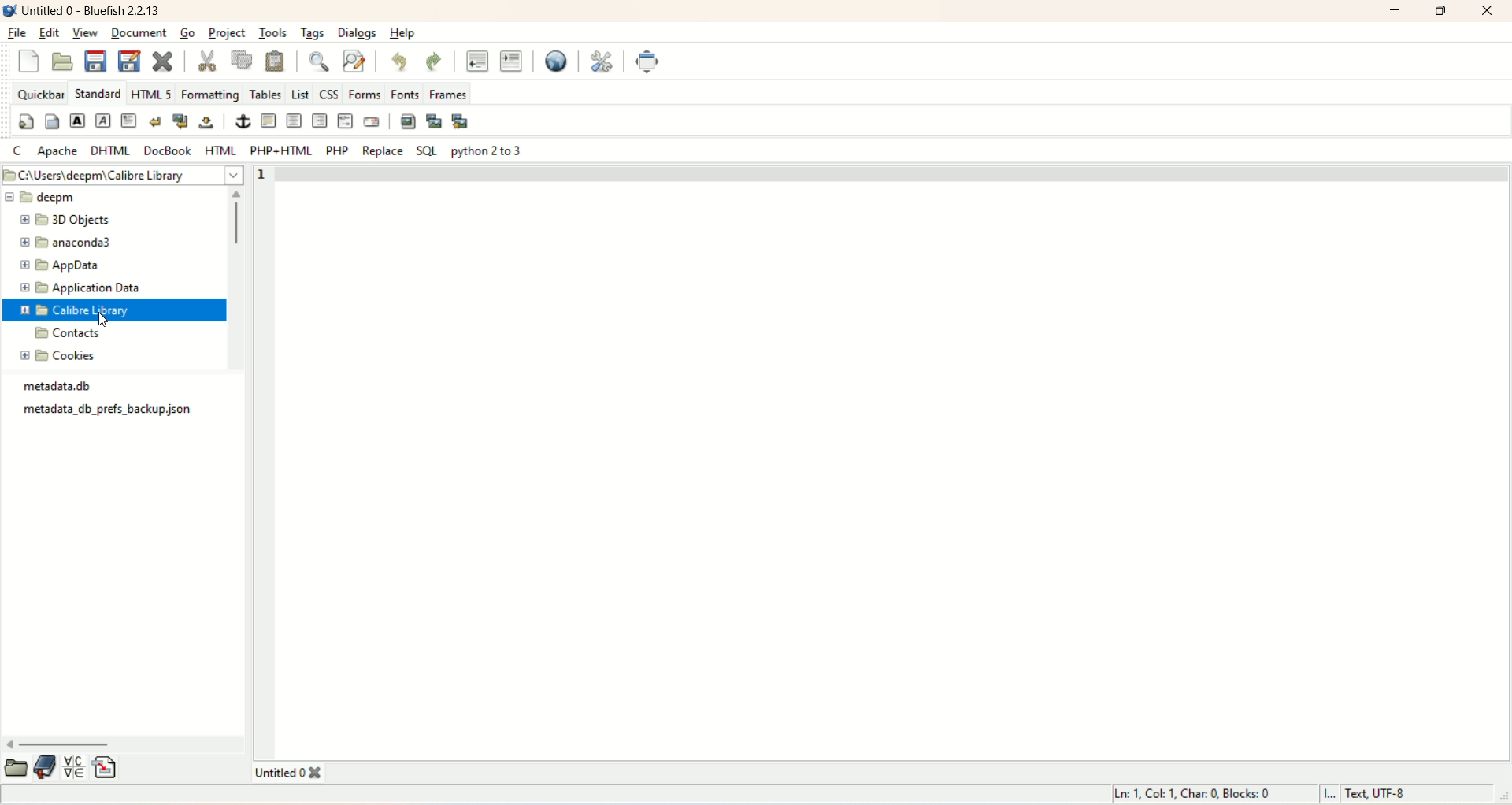  I want to click on title, so click(298, 773).